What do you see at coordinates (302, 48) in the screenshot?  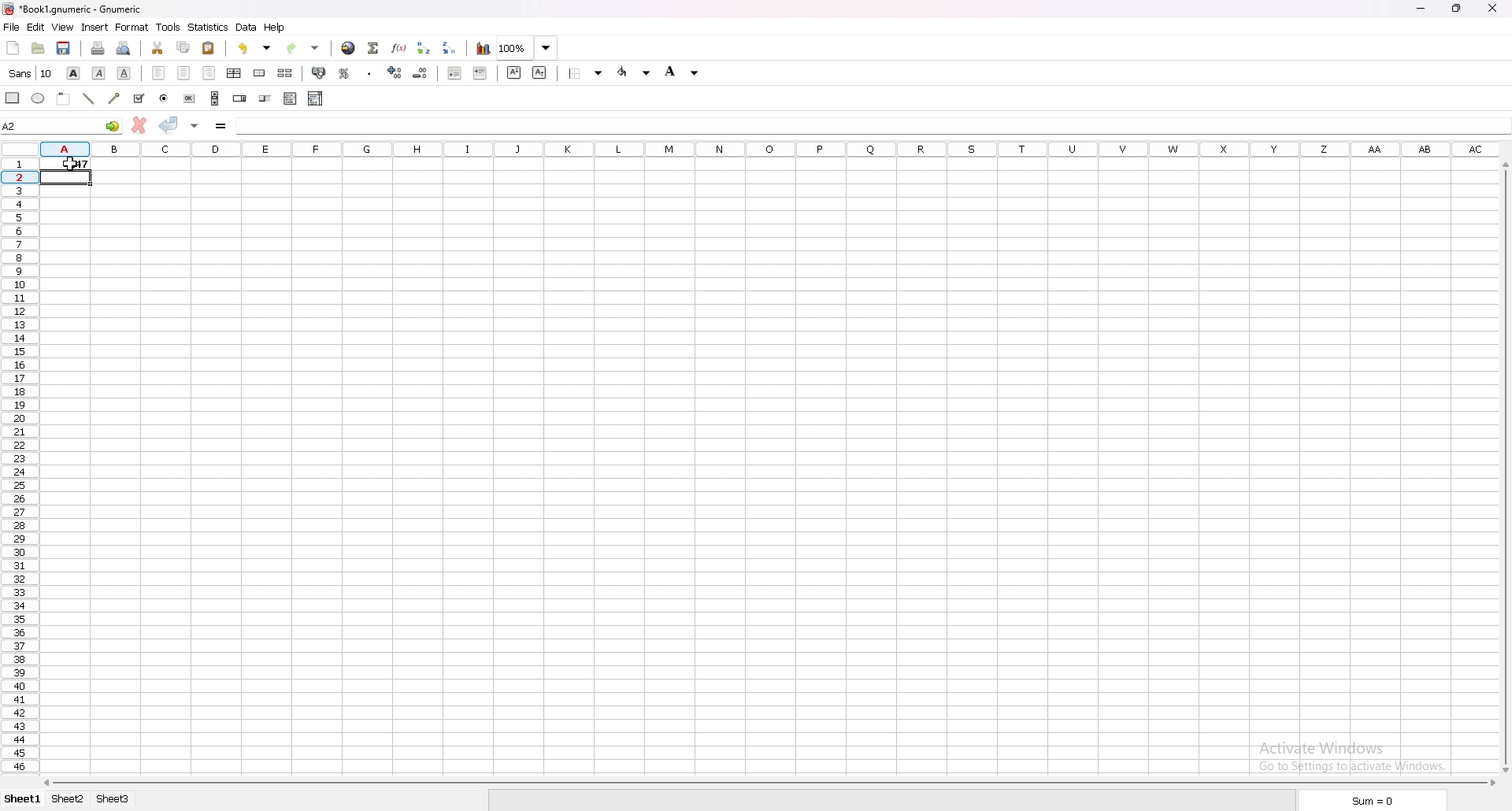 I see `redo` at bounding box center [302, 48].